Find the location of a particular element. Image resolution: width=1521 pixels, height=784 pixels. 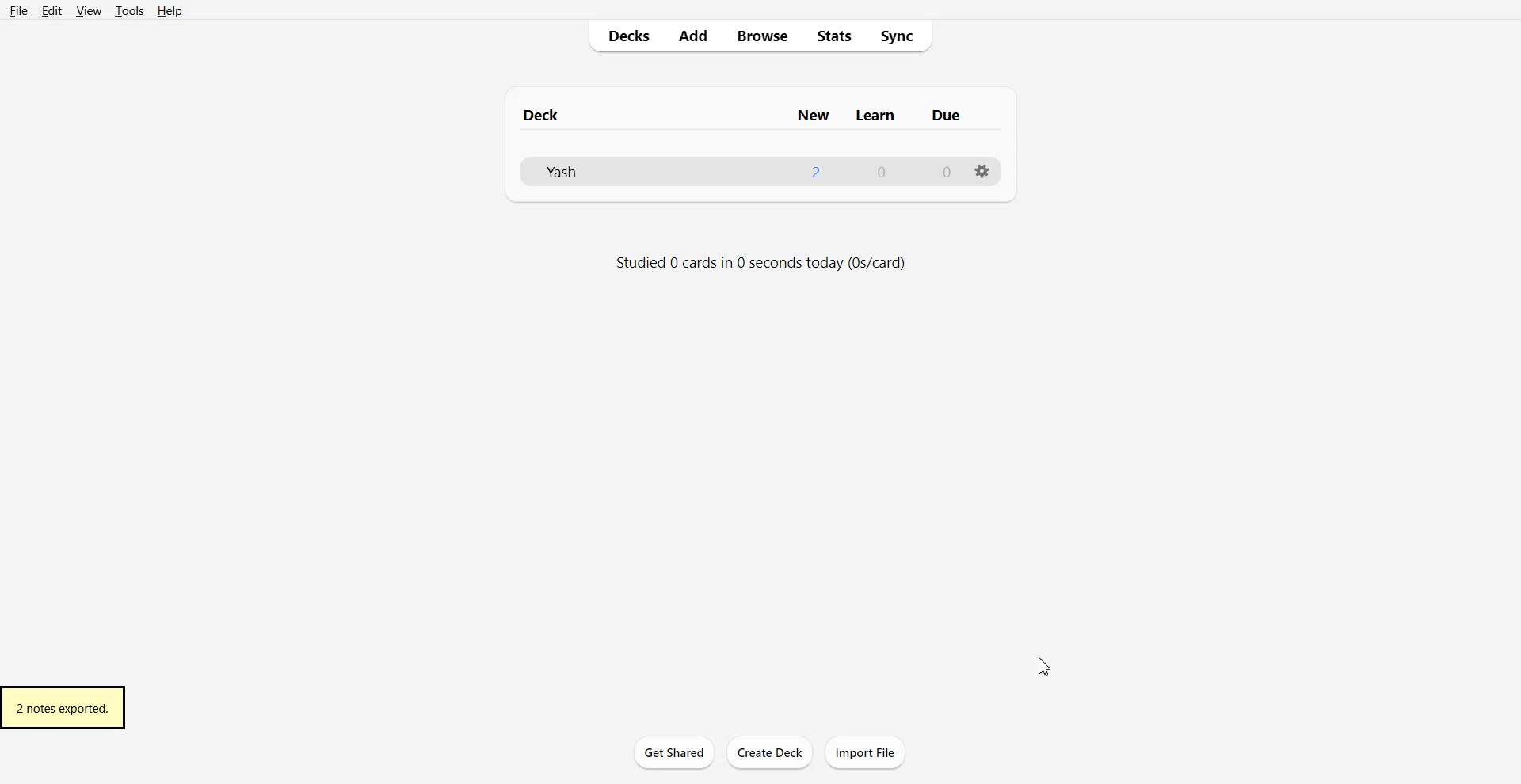

Browse is located at coordinates (760, 36).